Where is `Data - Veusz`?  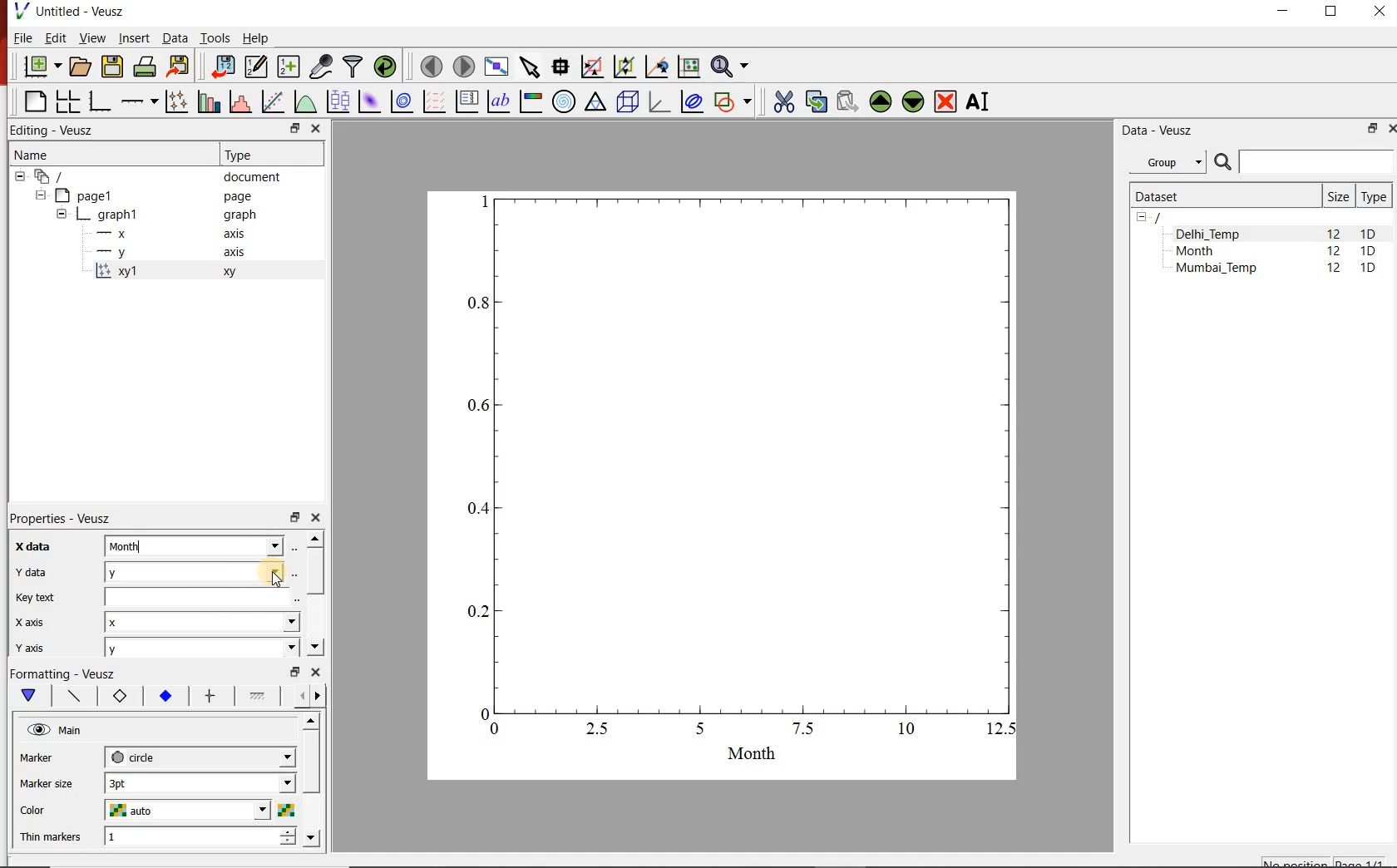
Data - Veusz is located at coordinates (1160, 131).